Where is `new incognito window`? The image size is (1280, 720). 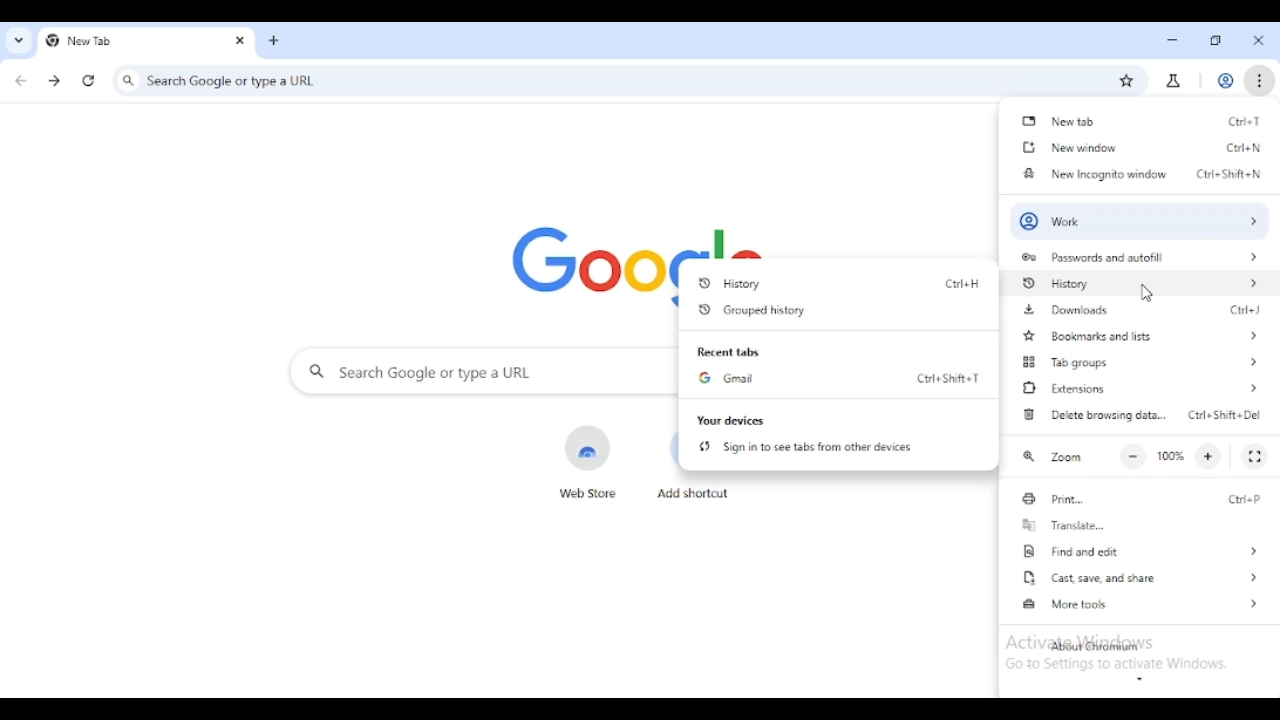
new incognito window is located at coordinates (1094, 172).